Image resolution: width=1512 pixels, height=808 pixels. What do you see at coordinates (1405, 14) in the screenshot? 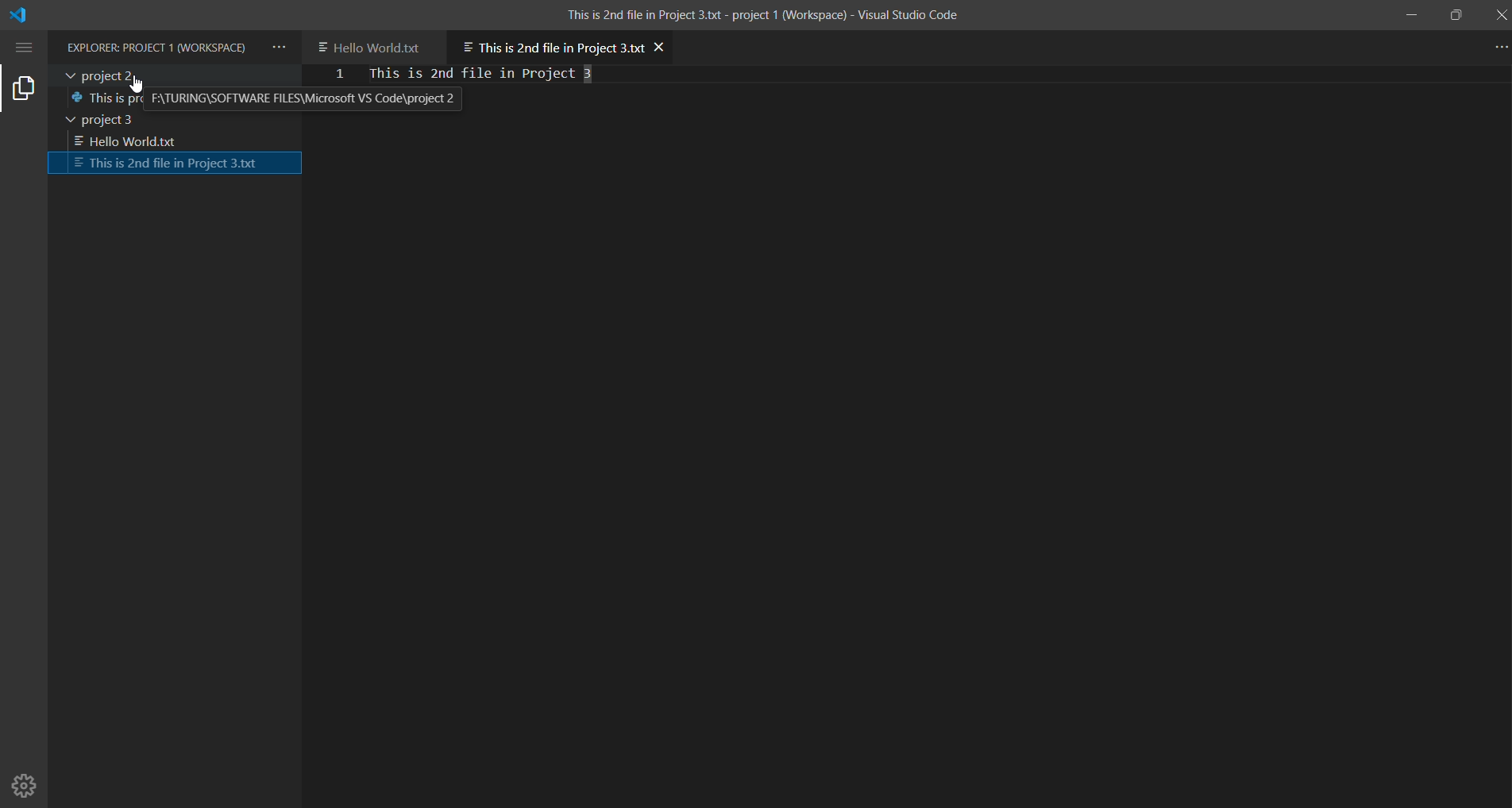
I see `minimize` at bounding box center [1405, 14].